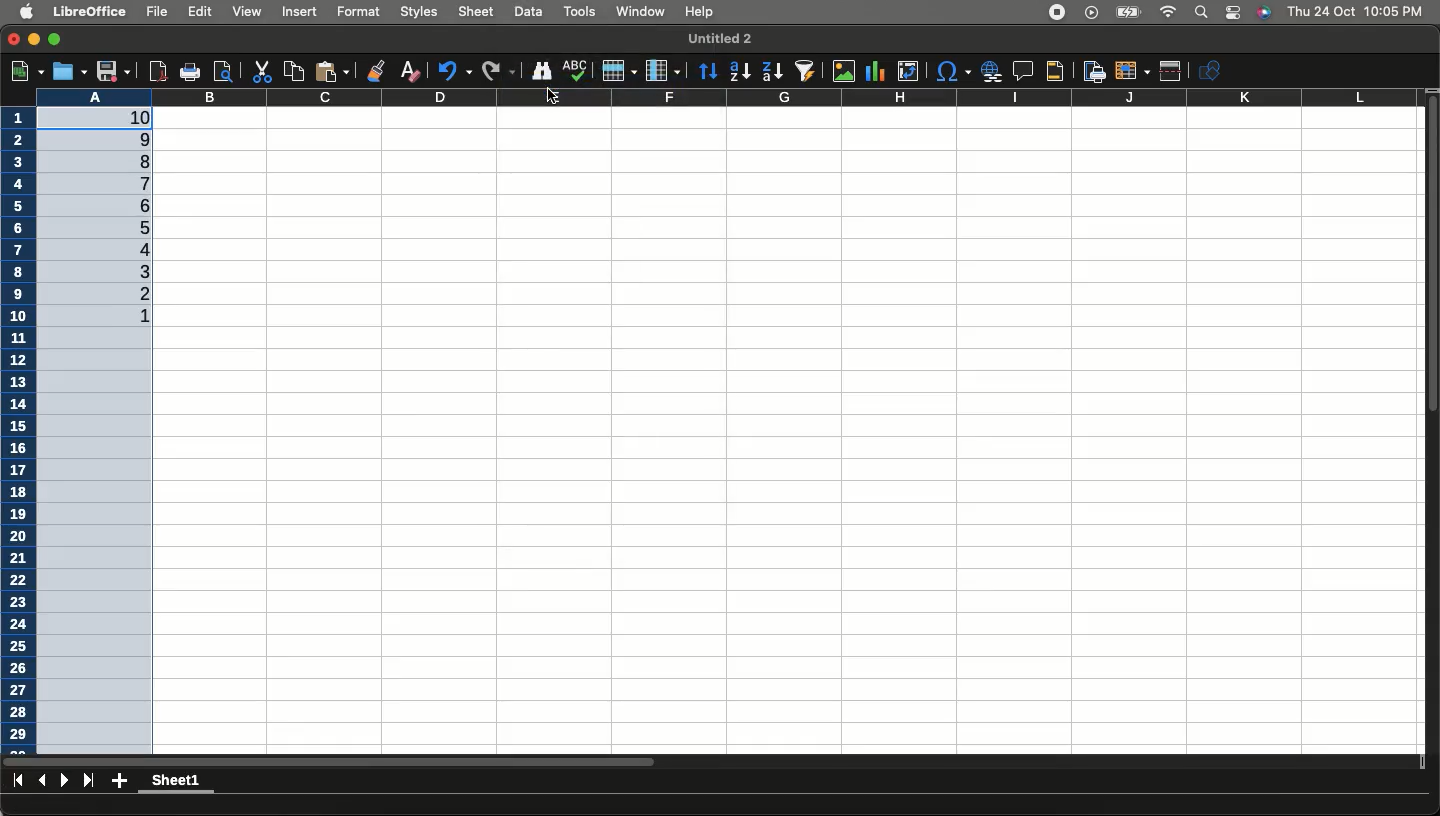  I want to click on Insert special characters, so click(952, 72).